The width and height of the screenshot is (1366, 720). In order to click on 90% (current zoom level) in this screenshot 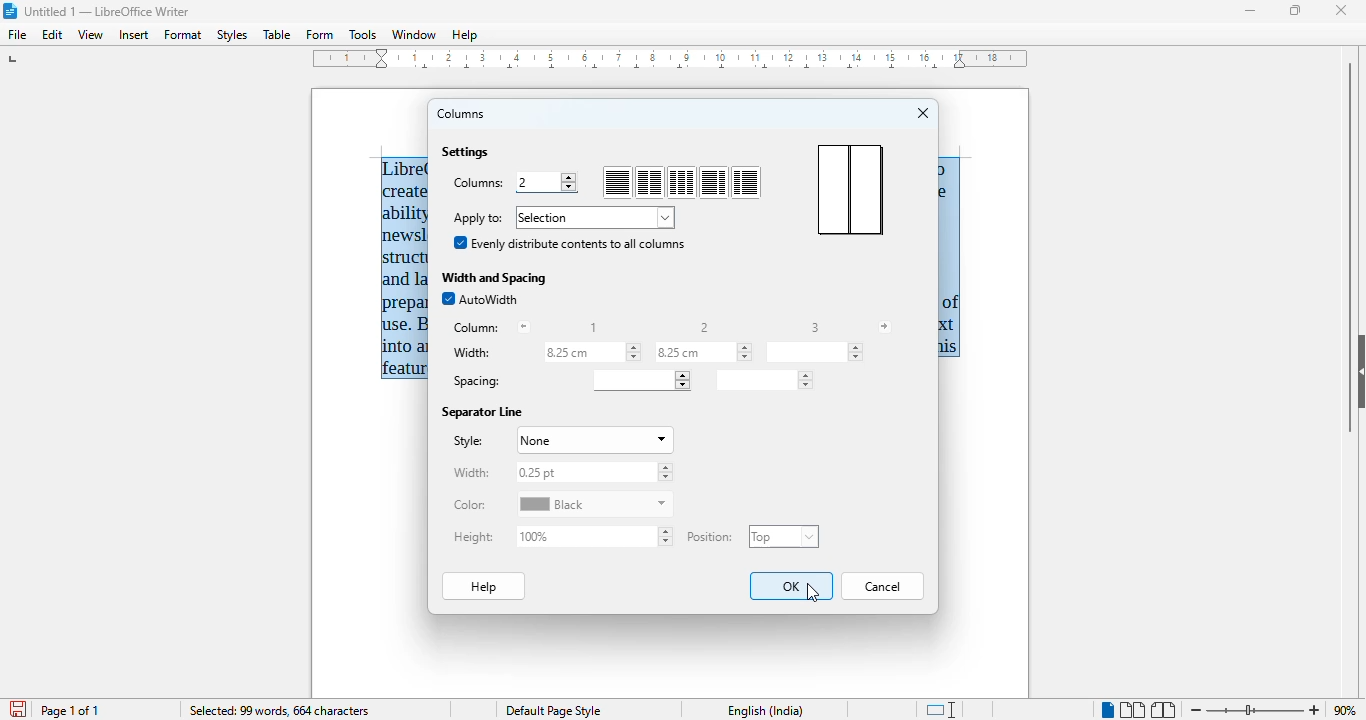, I will do `click(1349, 708)`.